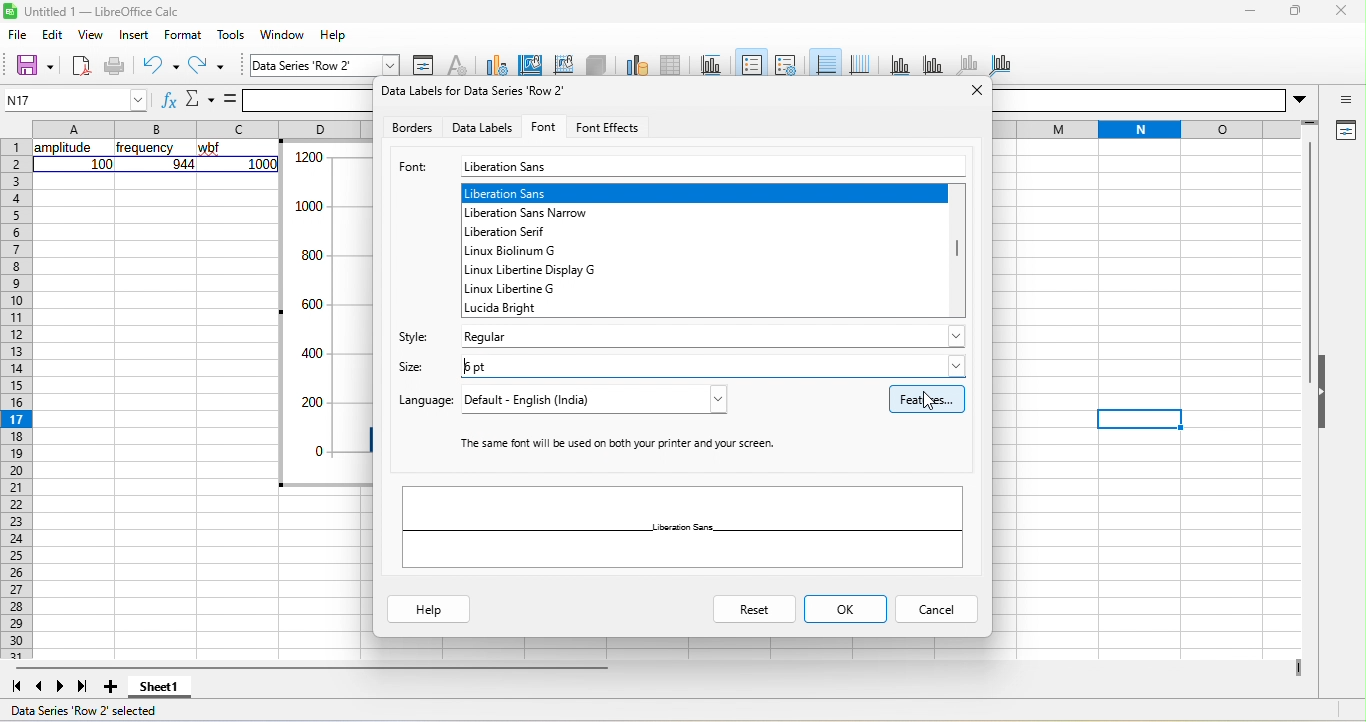 This screenshot has height=722, width=1366. What do you see at coordinates (752, 610) in the screenshot?
I see `reset` at bounding box center [752, 610].